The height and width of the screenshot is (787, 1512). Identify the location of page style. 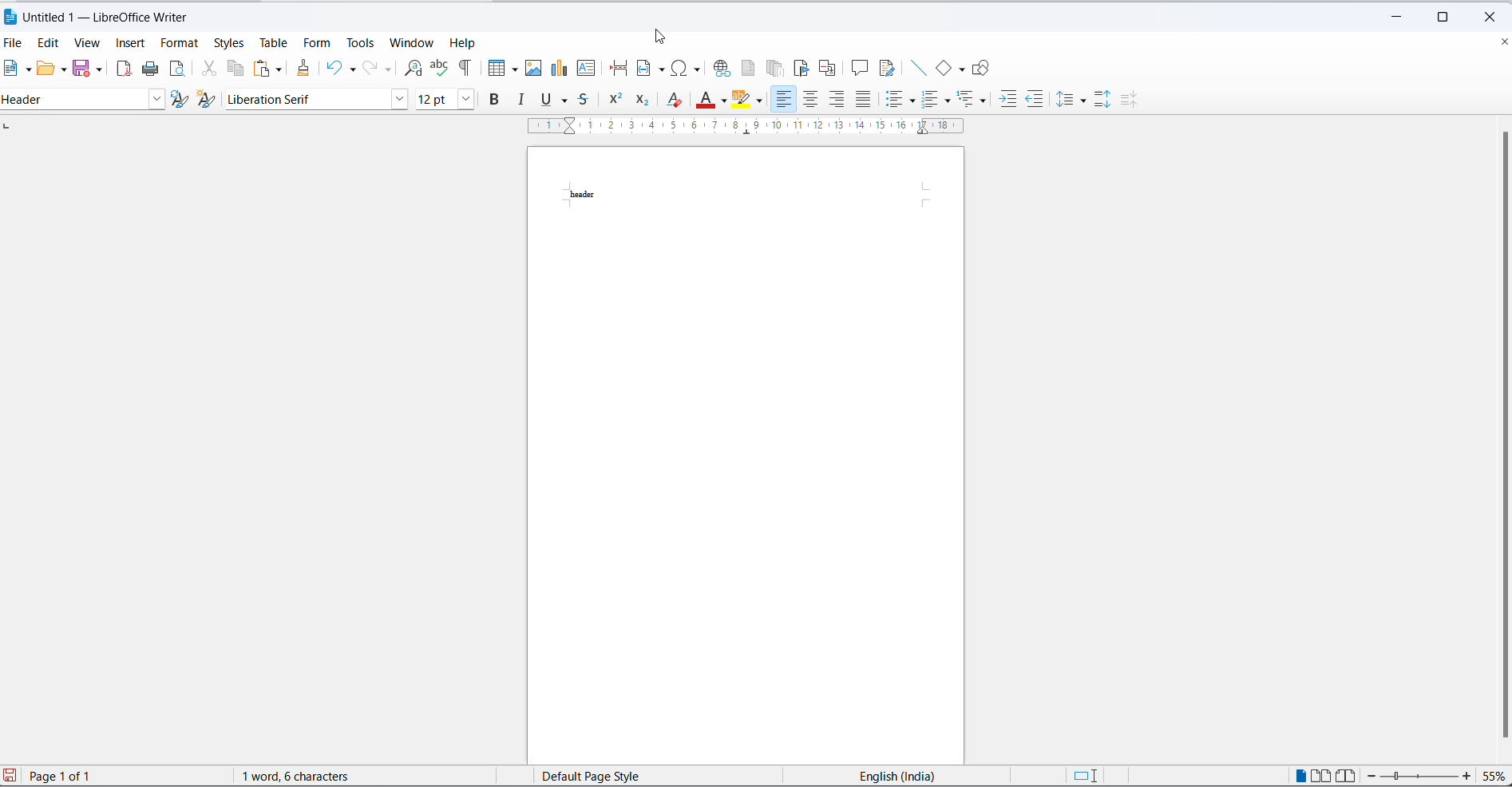
(610, 775).